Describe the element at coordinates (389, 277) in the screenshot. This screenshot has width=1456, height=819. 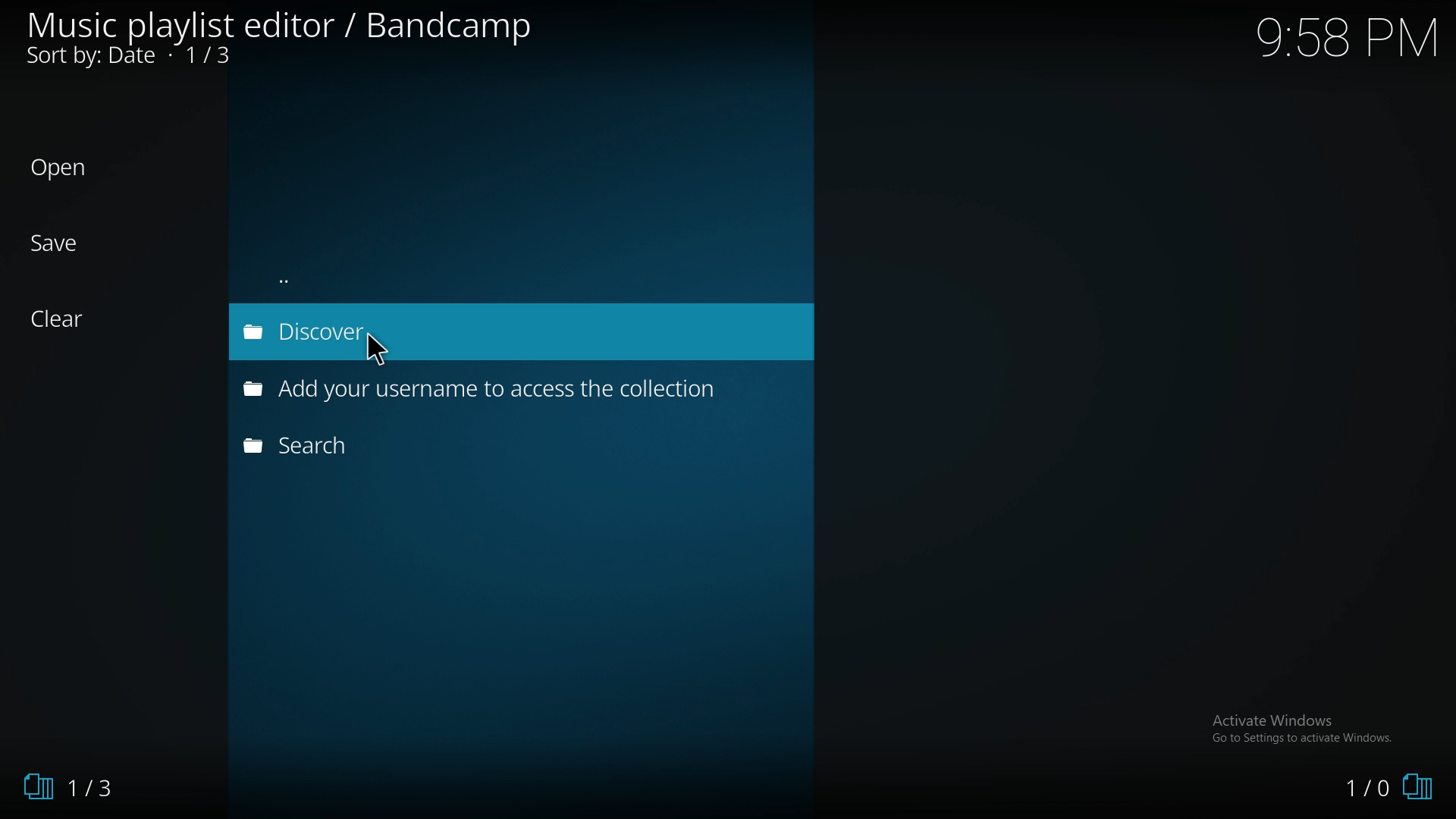
I see `back` at that location.